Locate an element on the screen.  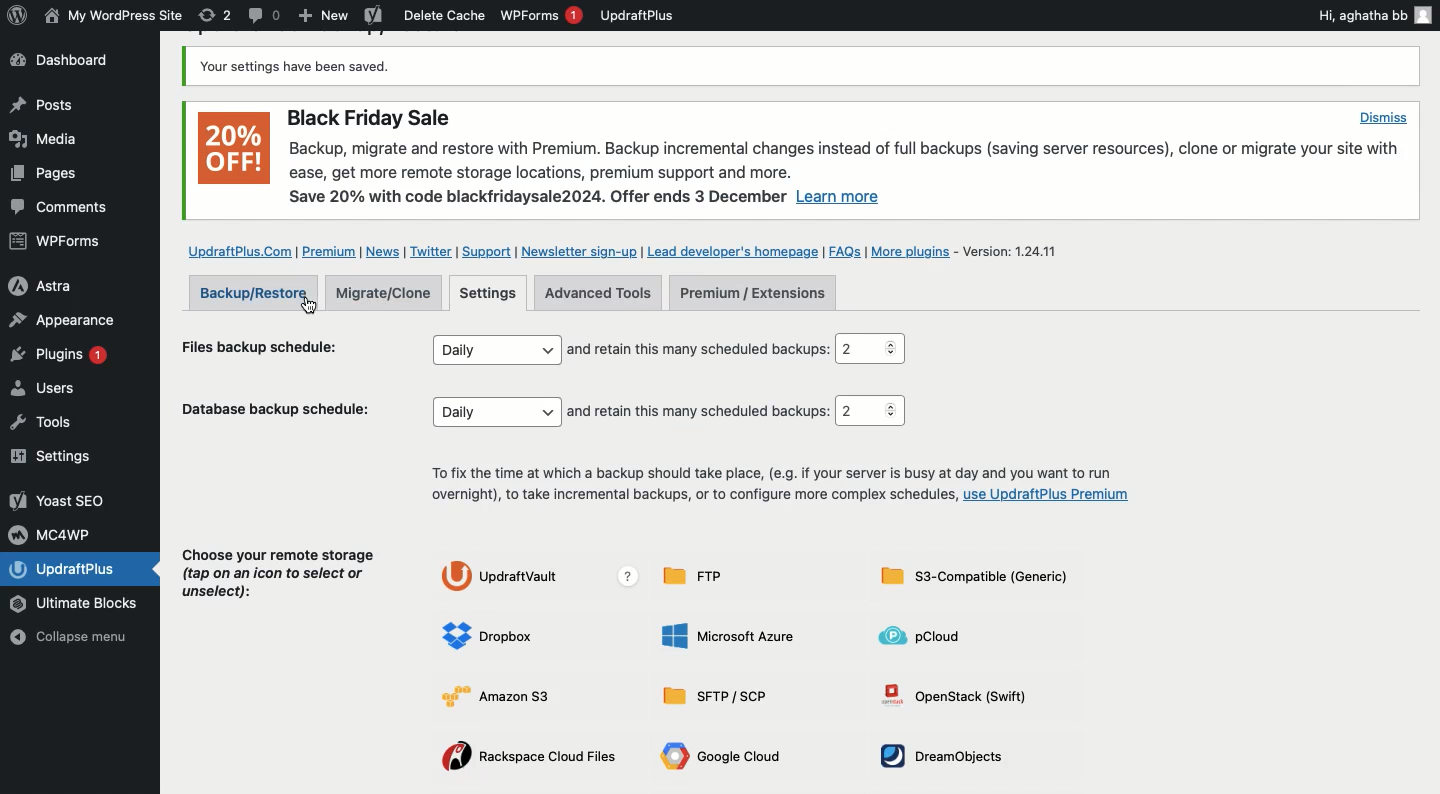
FTP is located at coordinates (701, 575).